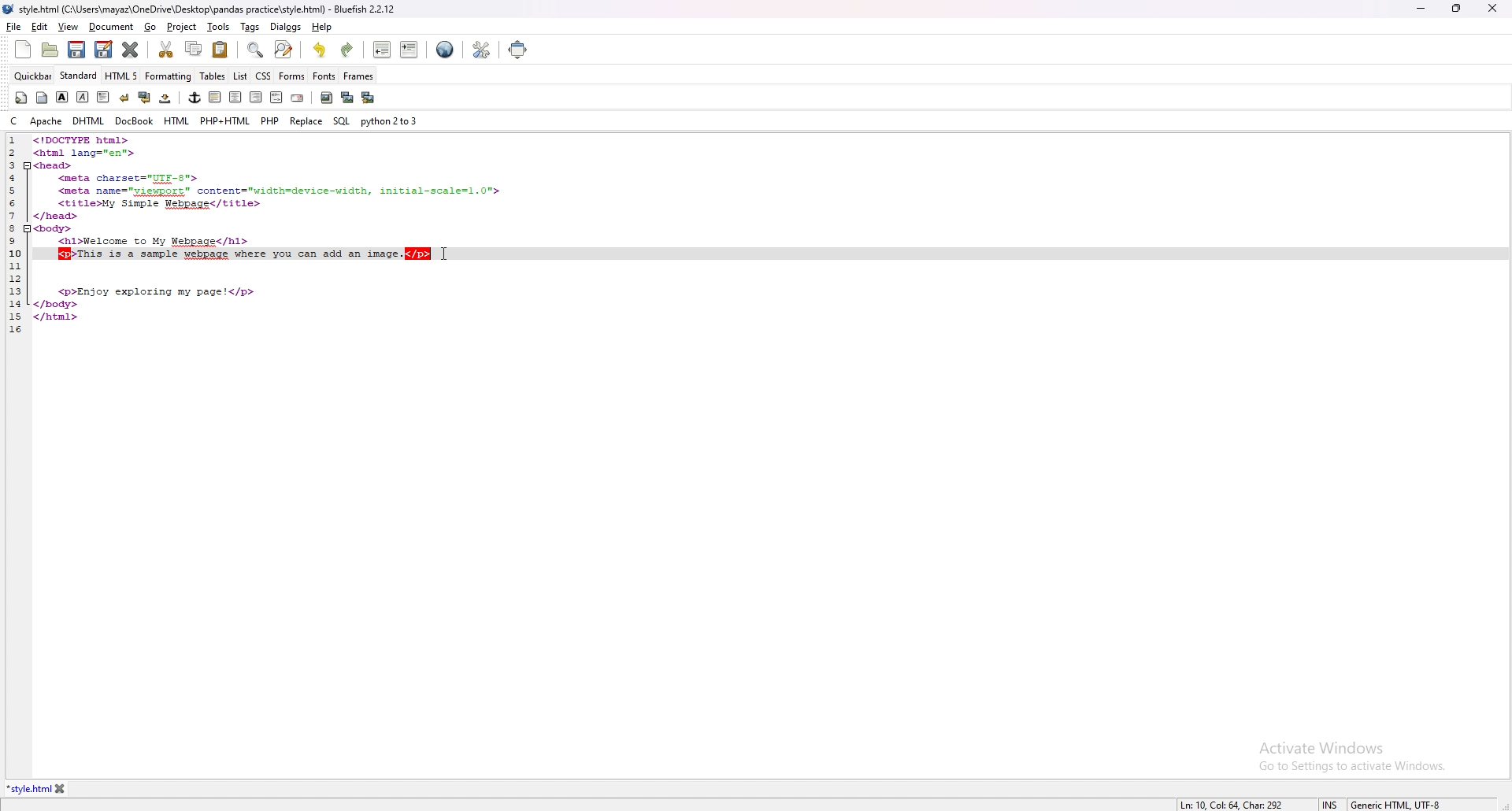 This screenshot has height=811, width=1512. I want to click on sql, so click(343, 121).